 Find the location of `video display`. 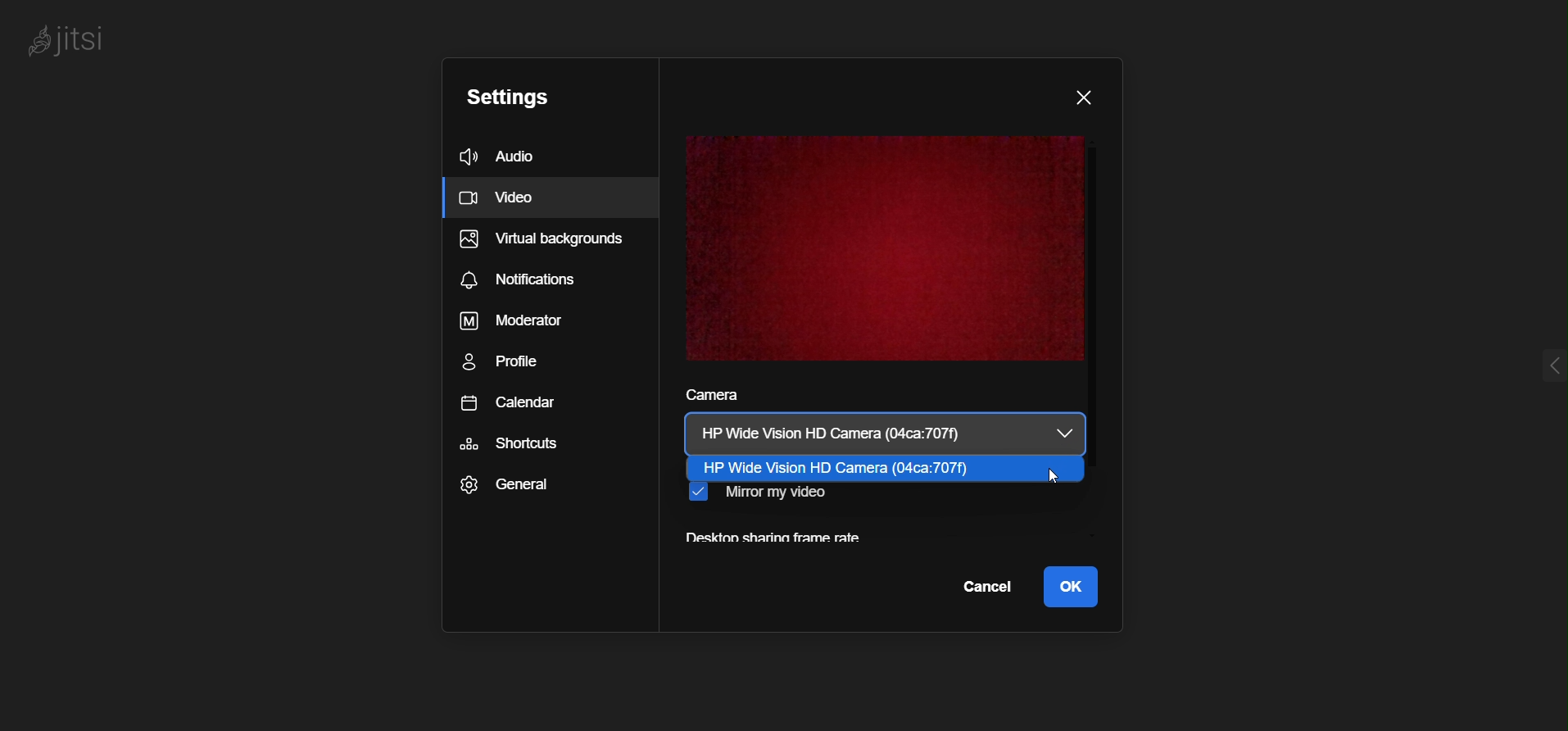

video display is located at coordinates (883, 249).